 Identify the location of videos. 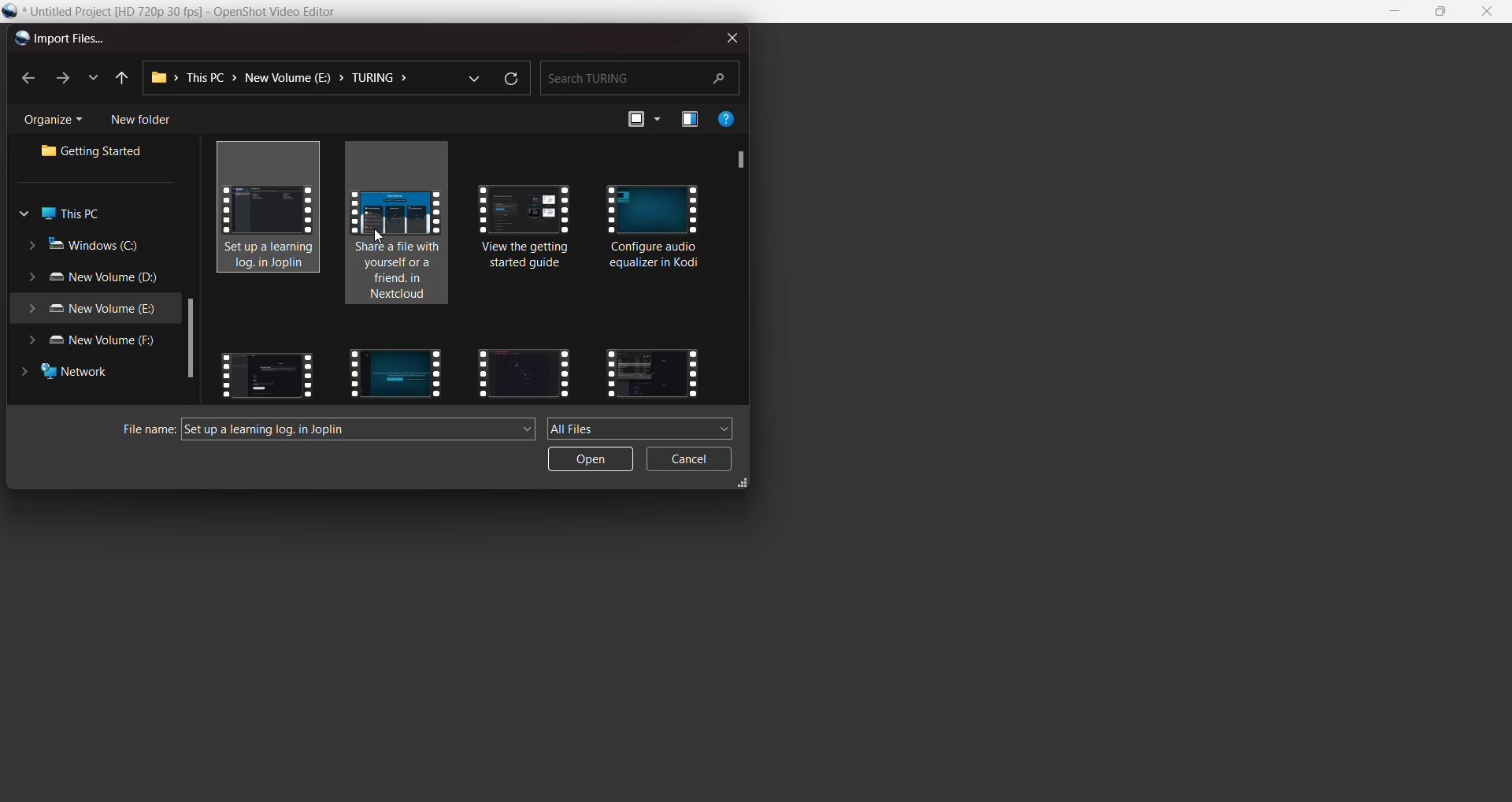
(654, 231).